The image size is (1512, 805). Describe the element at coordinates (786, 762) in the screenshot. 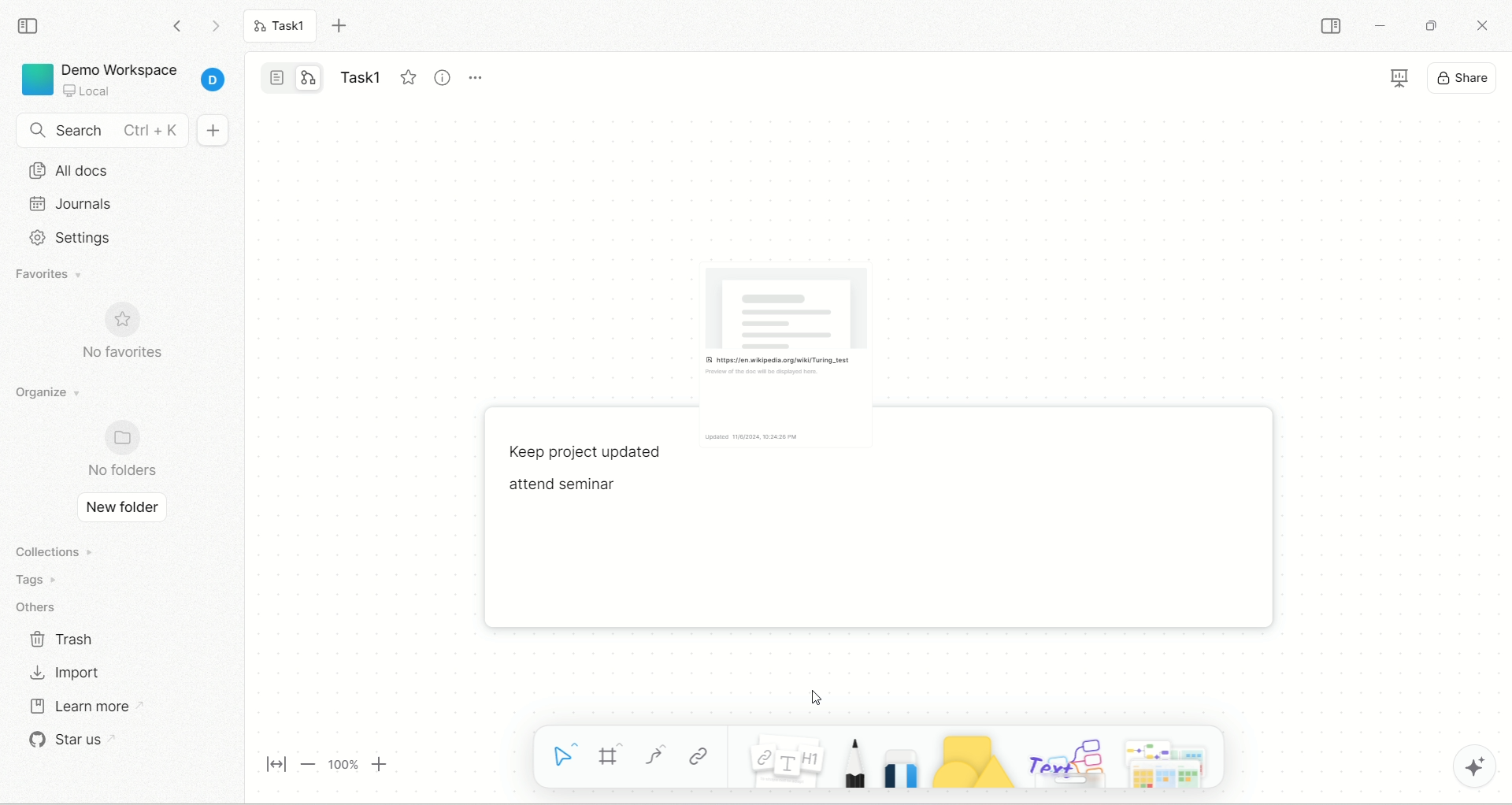

I see `note` at that location.